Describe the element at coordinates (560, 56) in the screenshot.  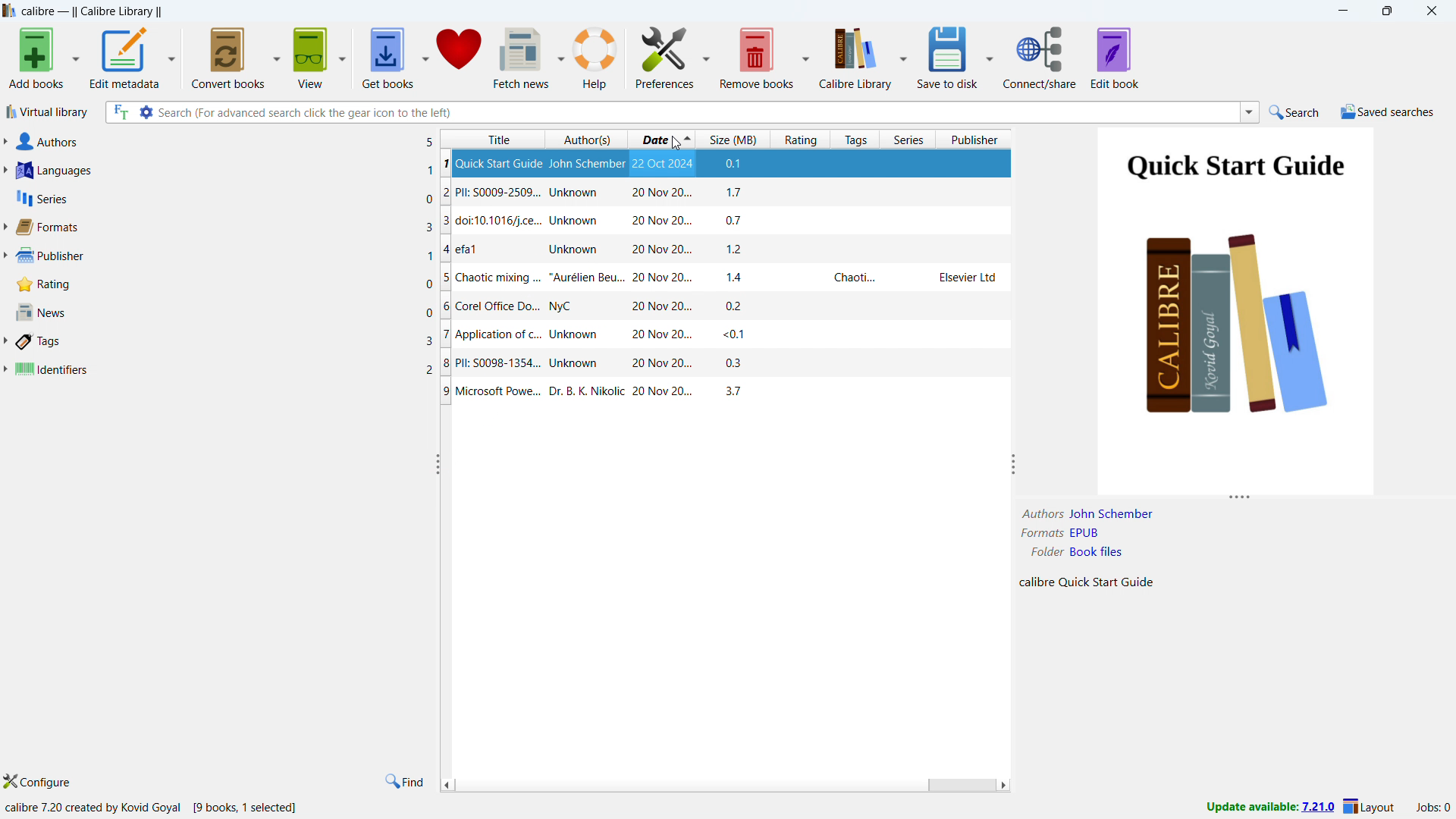
I see ` fetch news options` at that location.